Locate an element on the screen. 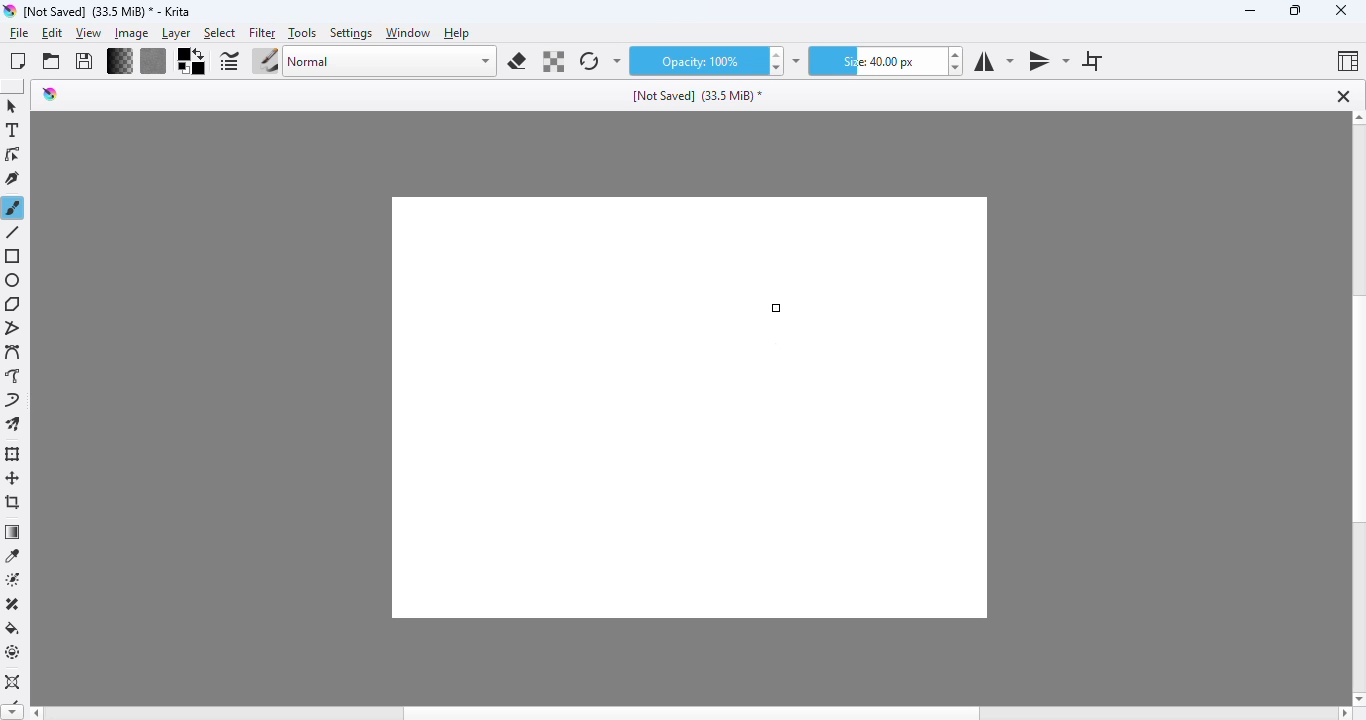  filter is located at coordinates (263, 33).